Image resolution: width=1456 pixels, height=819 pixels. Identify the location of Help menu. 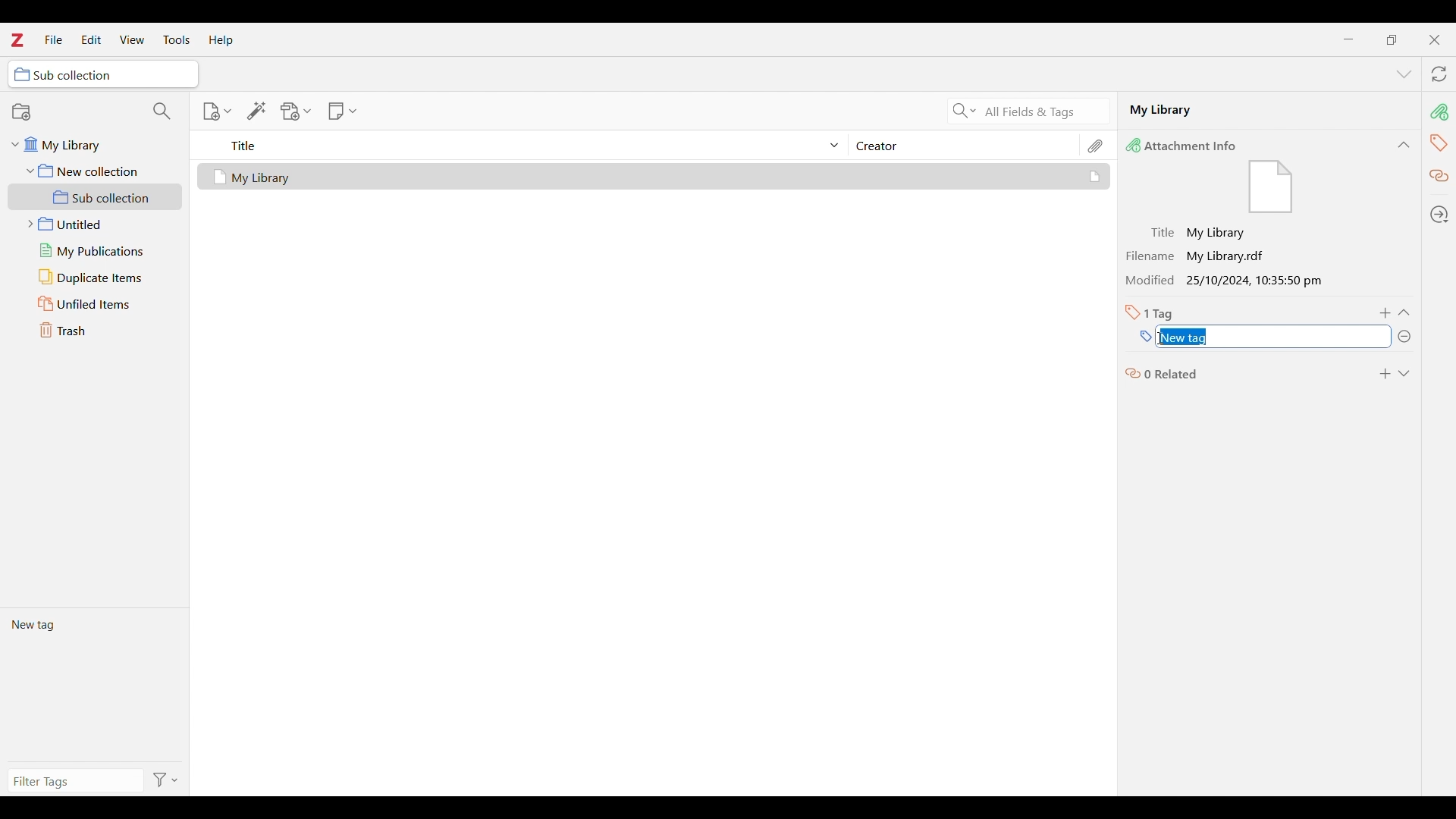
(221, 40).